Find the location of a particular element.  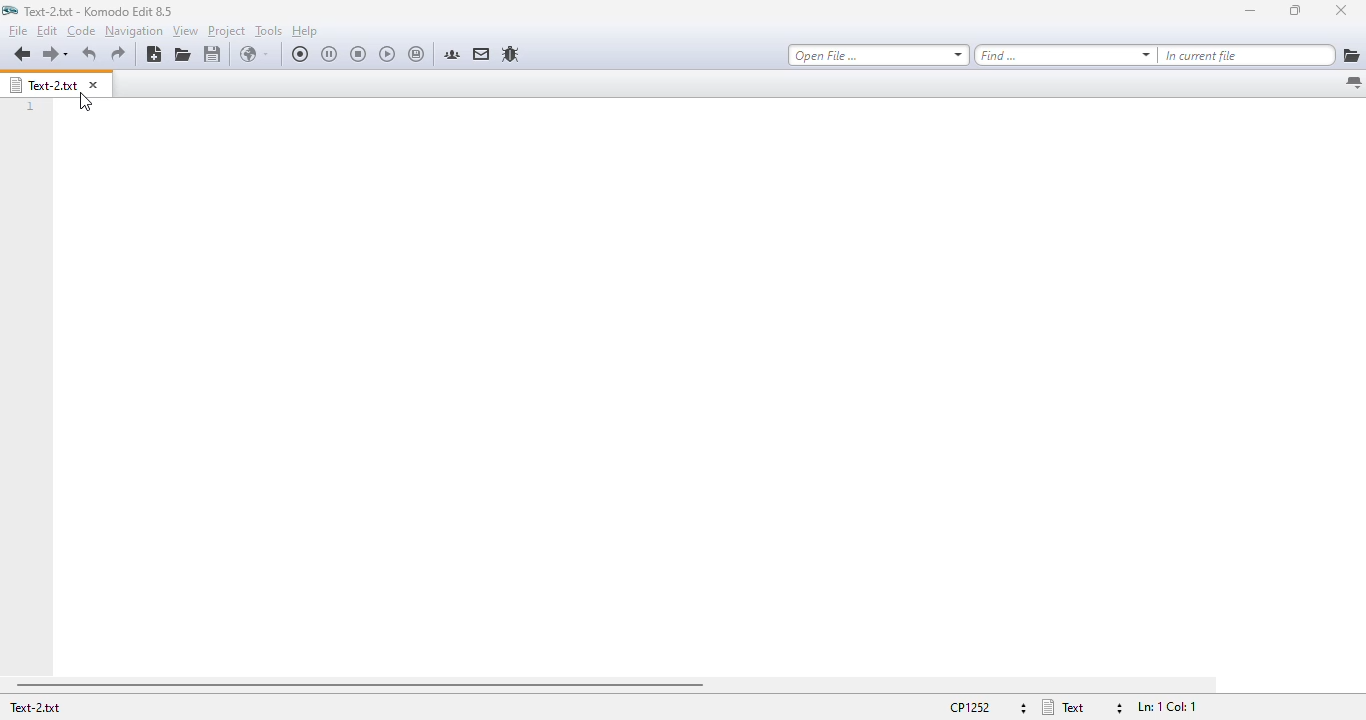

navigation is located at coordinates (133, 31).